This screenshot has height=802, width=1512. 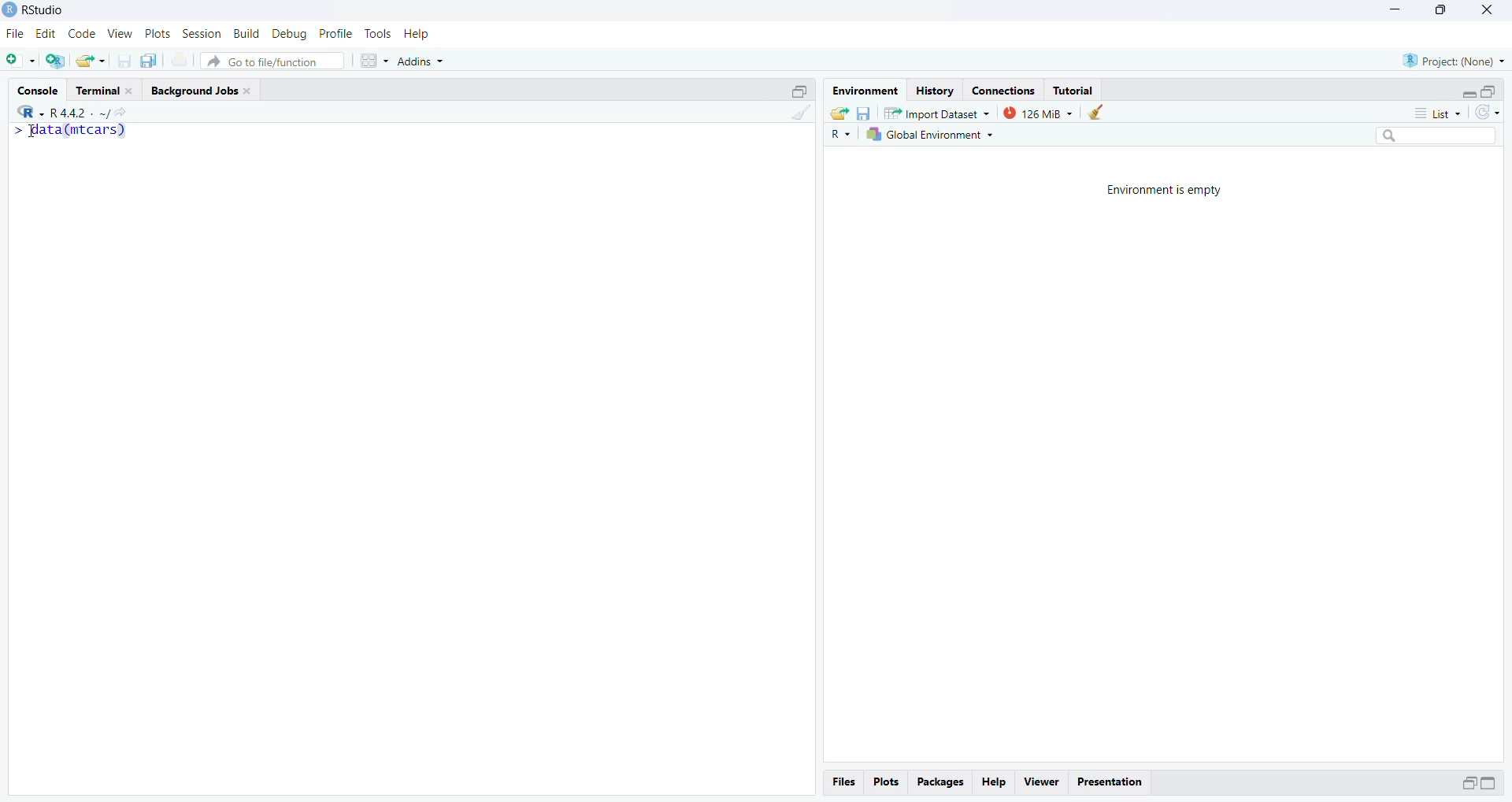 What do you see at coordinates (376, 32) in the screenshot?
I see `Tools` at bounding box center [376, 32].